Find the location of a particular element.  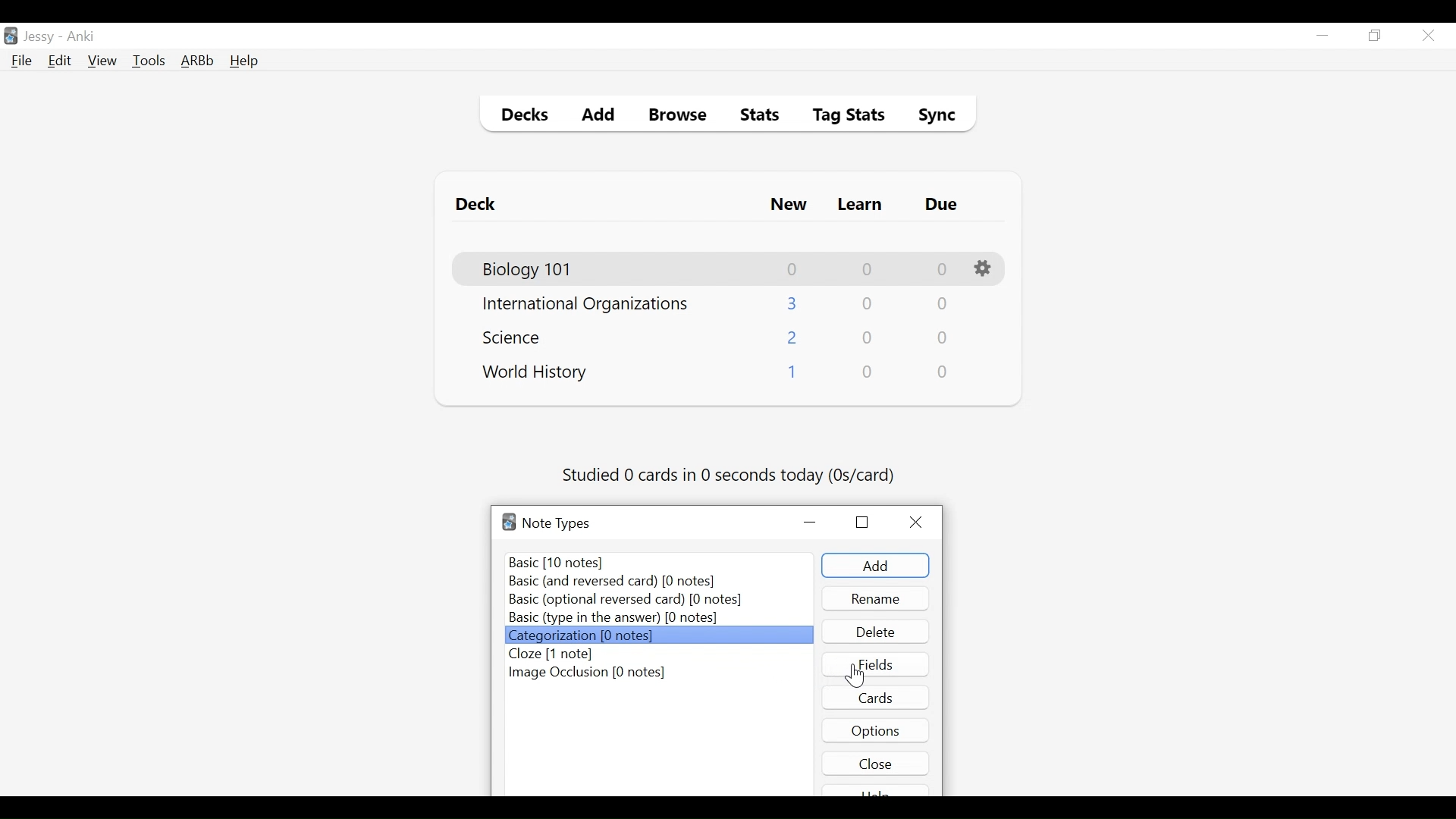

 is located at coordinates (868, 372).